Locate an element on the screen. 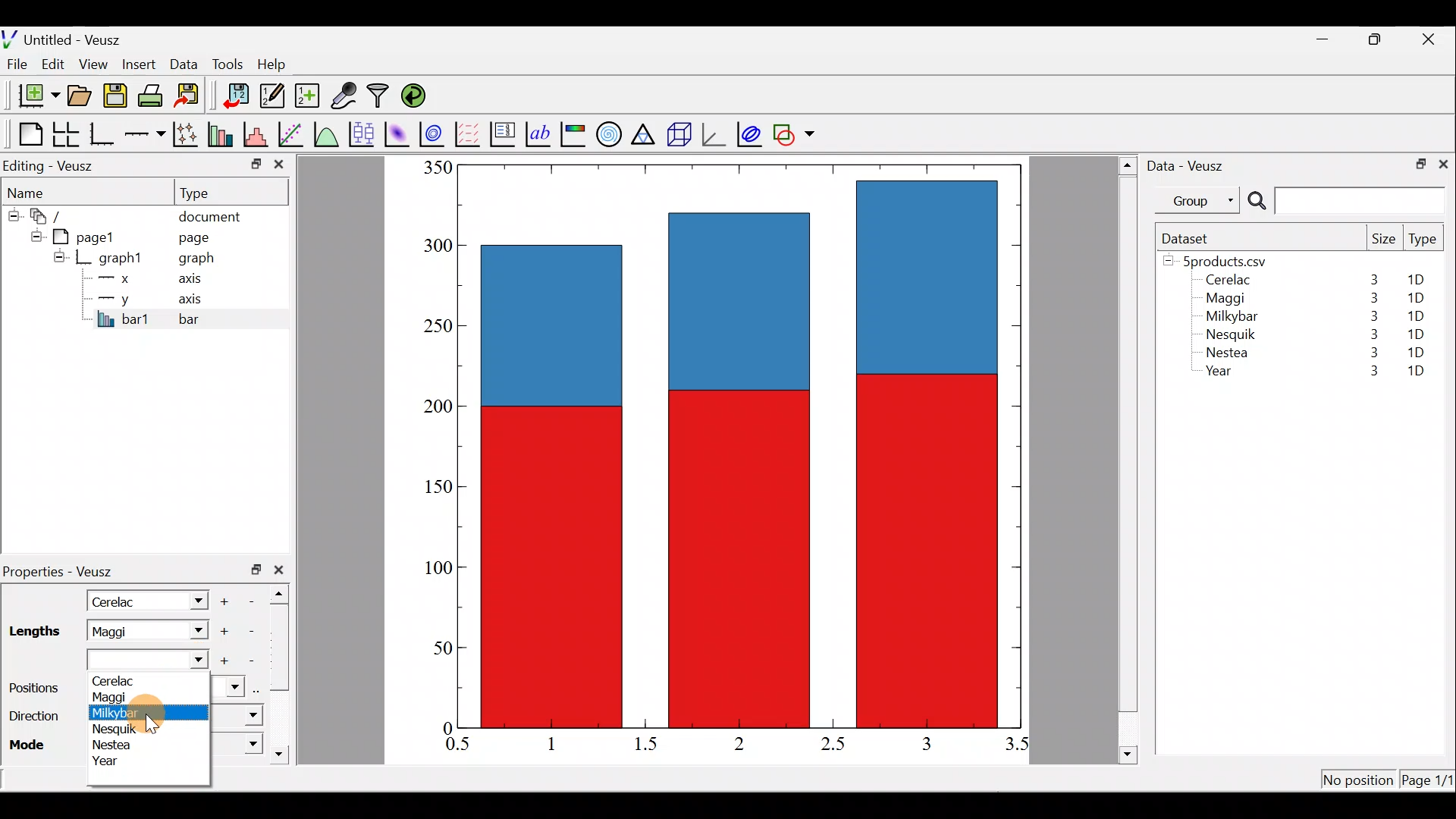  Maggi is located at coordinates (127, 631).